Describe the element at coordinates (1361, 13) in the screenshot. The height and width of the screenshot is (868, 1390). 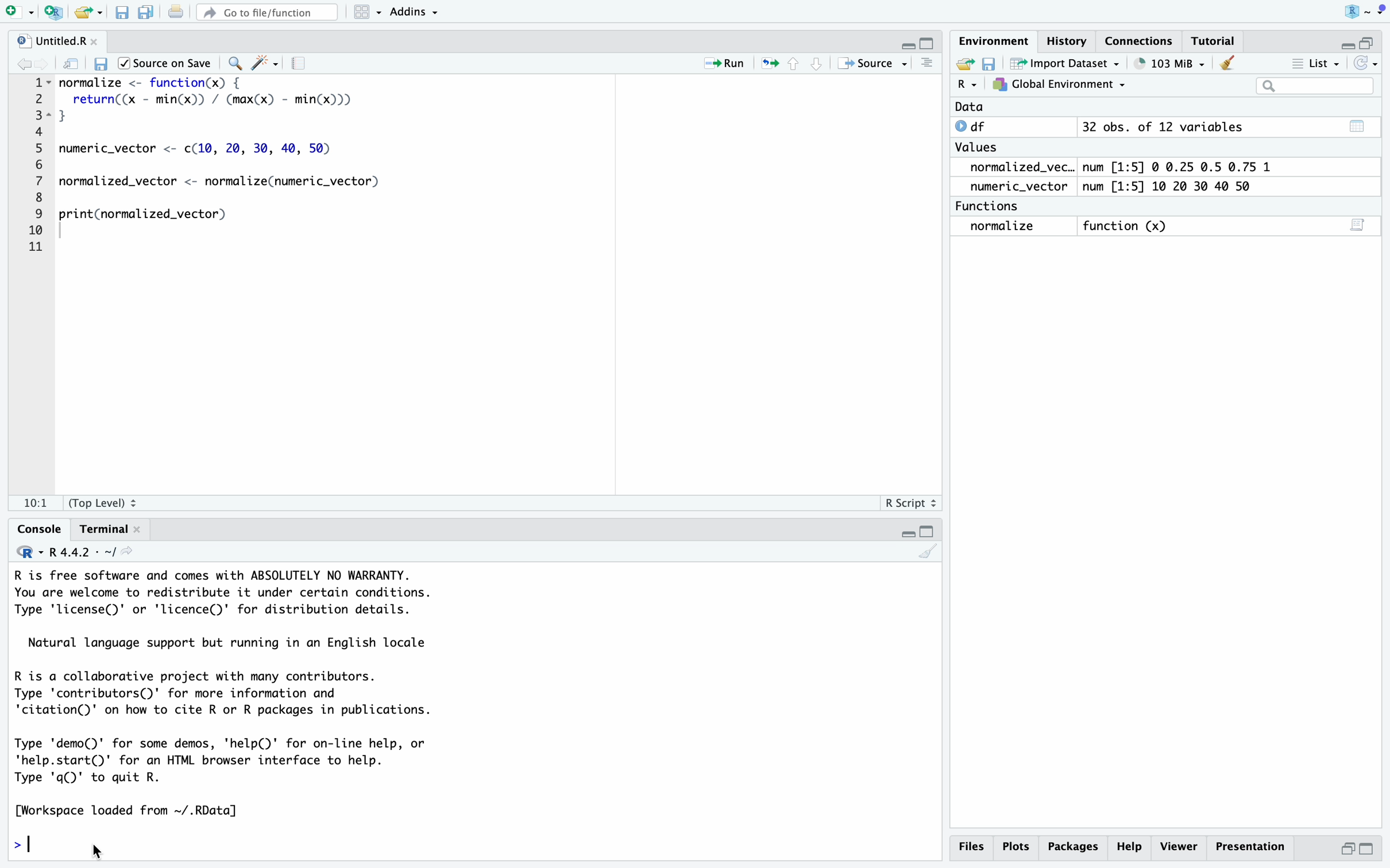
I see `R ~` at that location.